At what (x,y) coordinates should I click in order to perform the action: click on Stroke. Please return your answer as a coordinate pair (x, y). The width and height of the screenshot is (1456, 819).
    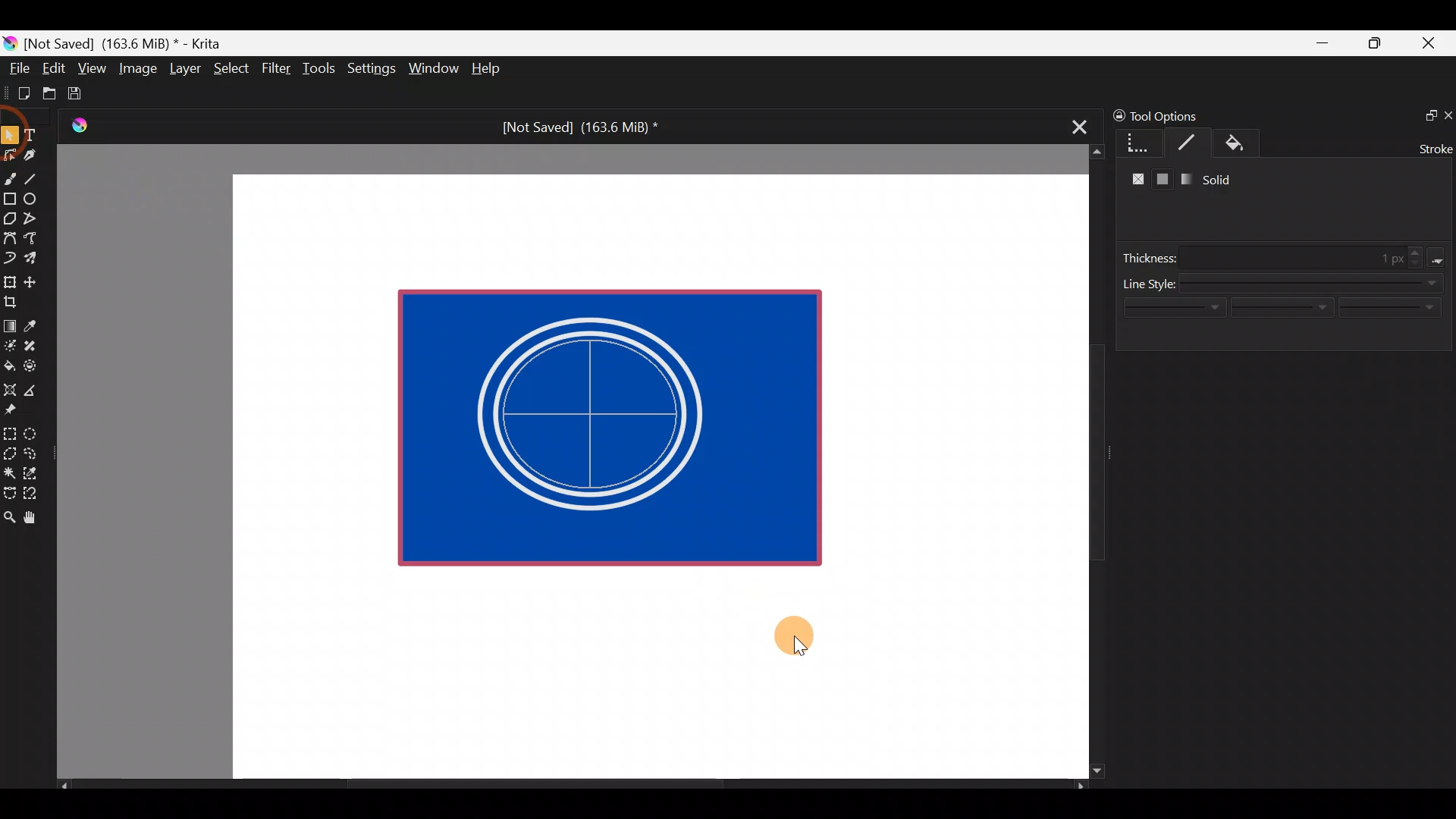
    Looking at the image, I should click on (1193, 143).